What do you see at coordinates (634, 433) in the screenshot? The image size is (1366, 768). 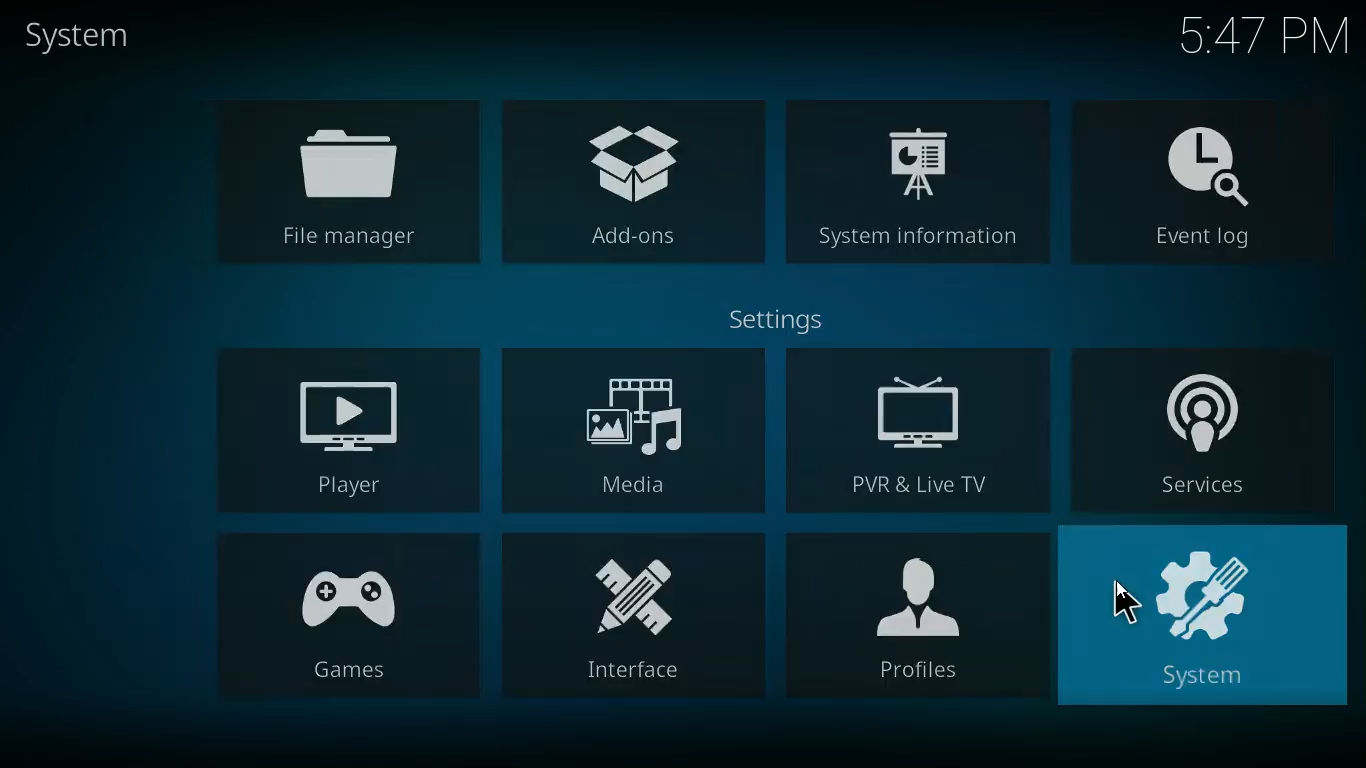 I see `media` at bounding box center [634, 433].